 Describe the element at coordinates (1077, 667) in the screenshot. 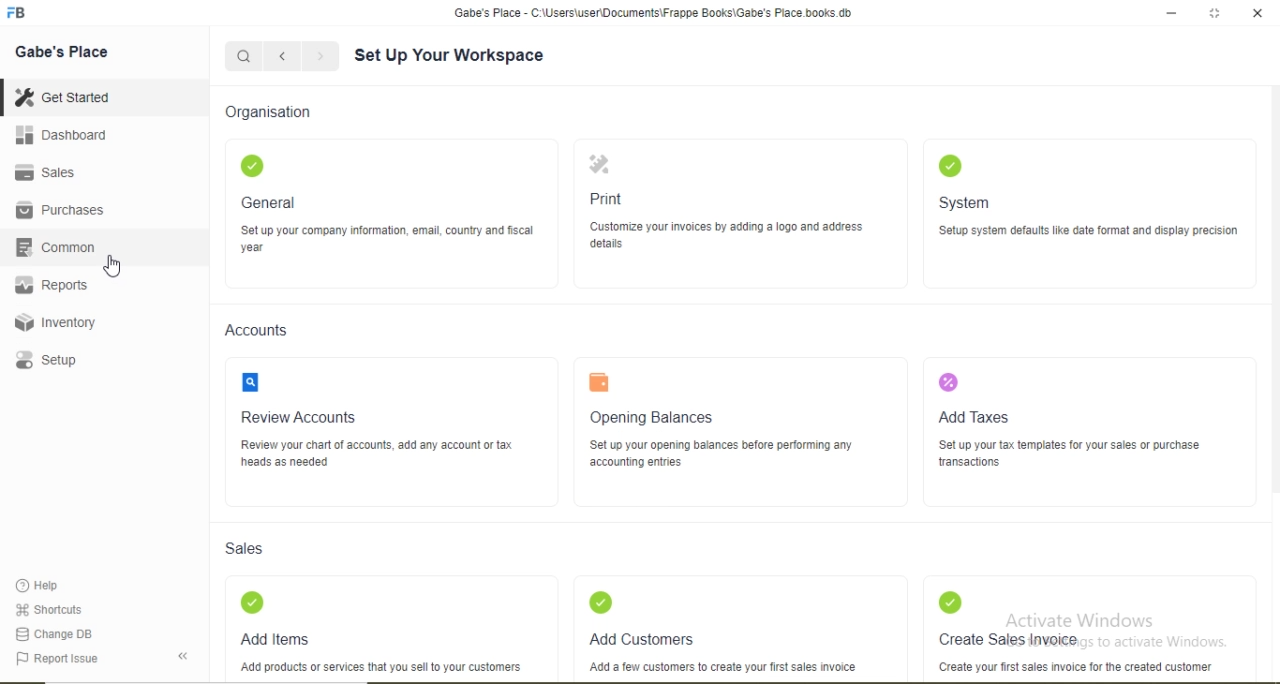

I see `Create your first sales invoice for the created customer` at that location.